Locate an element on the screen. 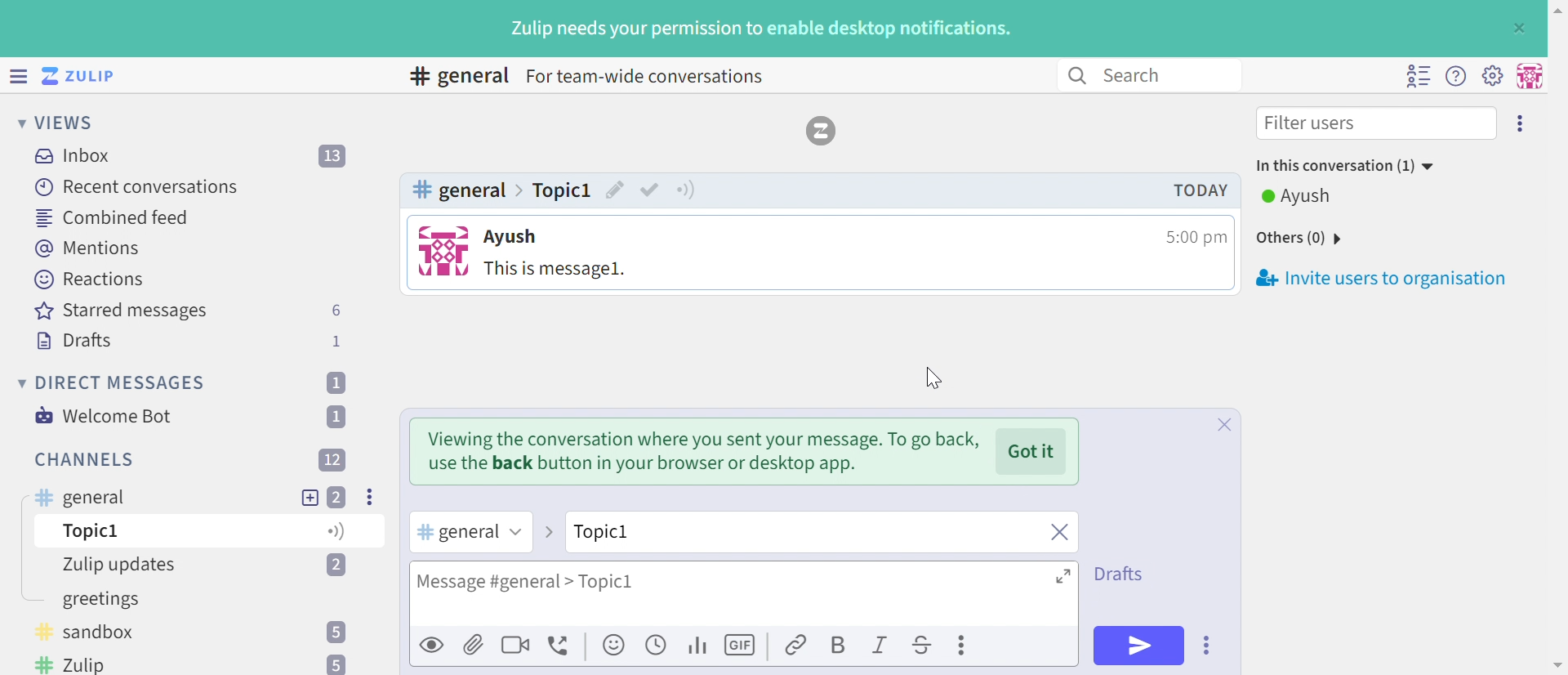 Image resolution: width=1568 pixels, height=675 pixels. Help menu is located at coordinates (1456, 77).